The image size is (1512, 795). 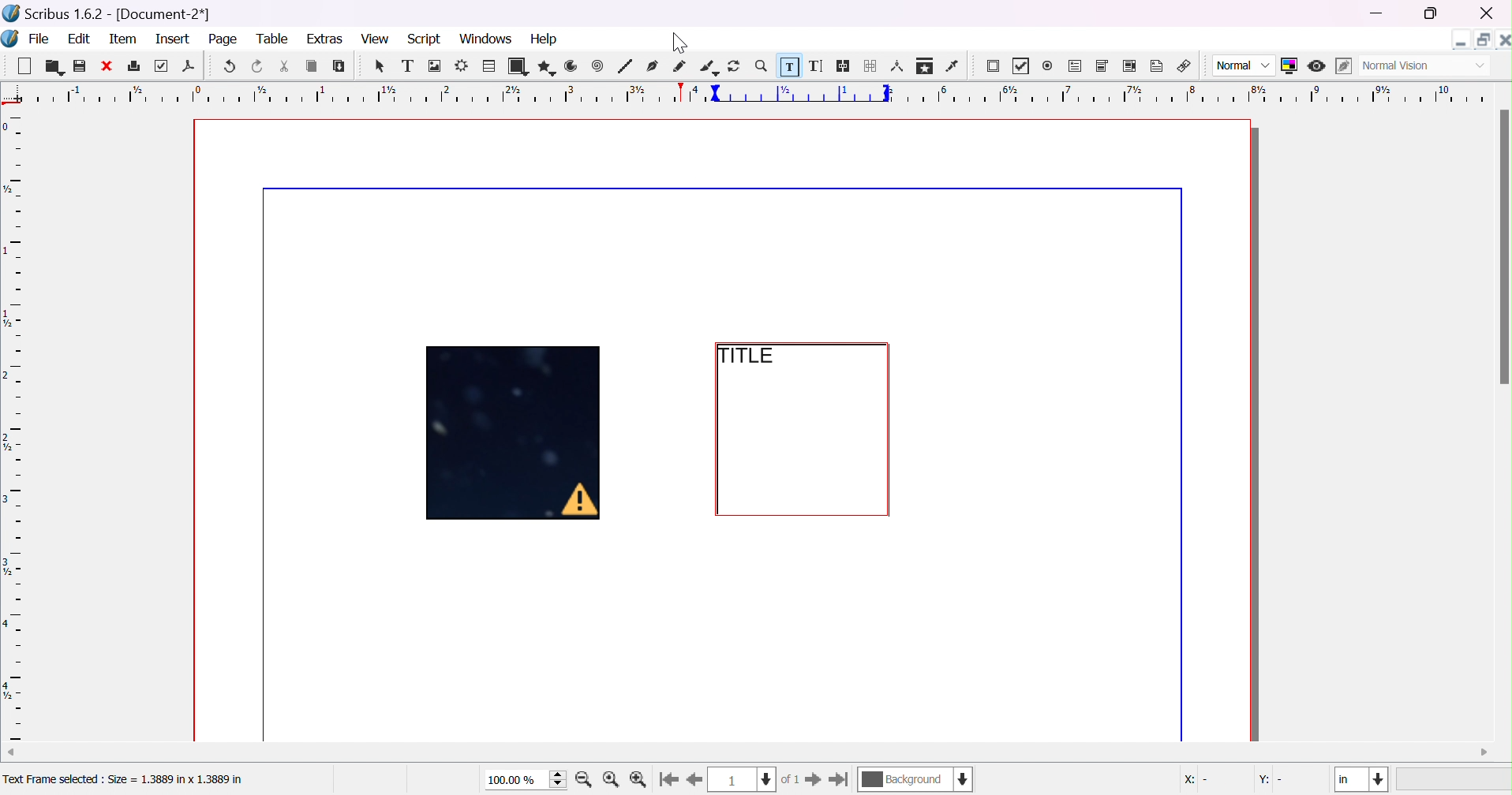 What do you see at coordinates (818, 66) in the screenshot?
I see `edit text with story editor` at bounding box center [818, 66].